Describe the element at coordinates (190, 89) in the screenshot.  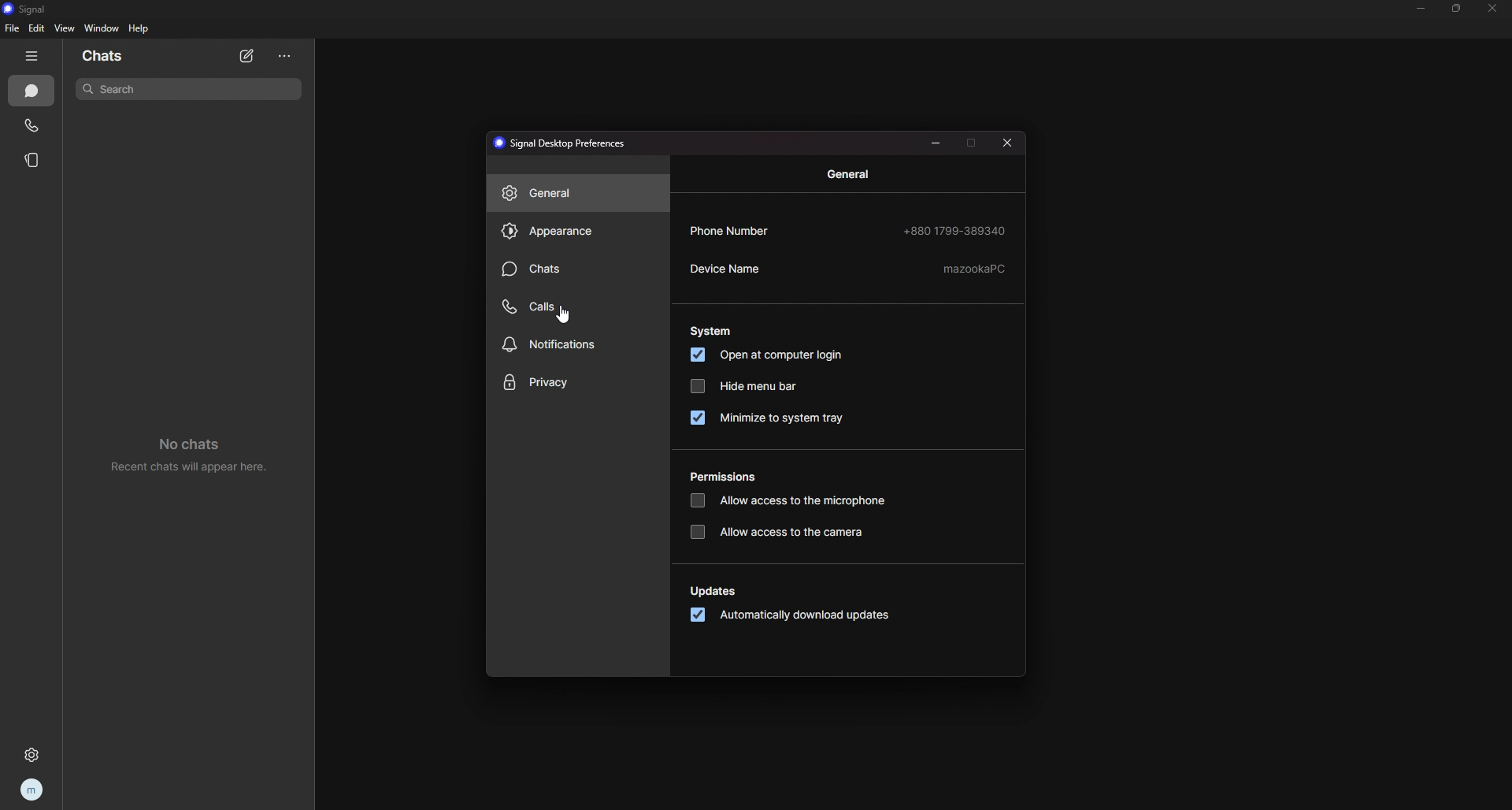
I see `search` at that location.